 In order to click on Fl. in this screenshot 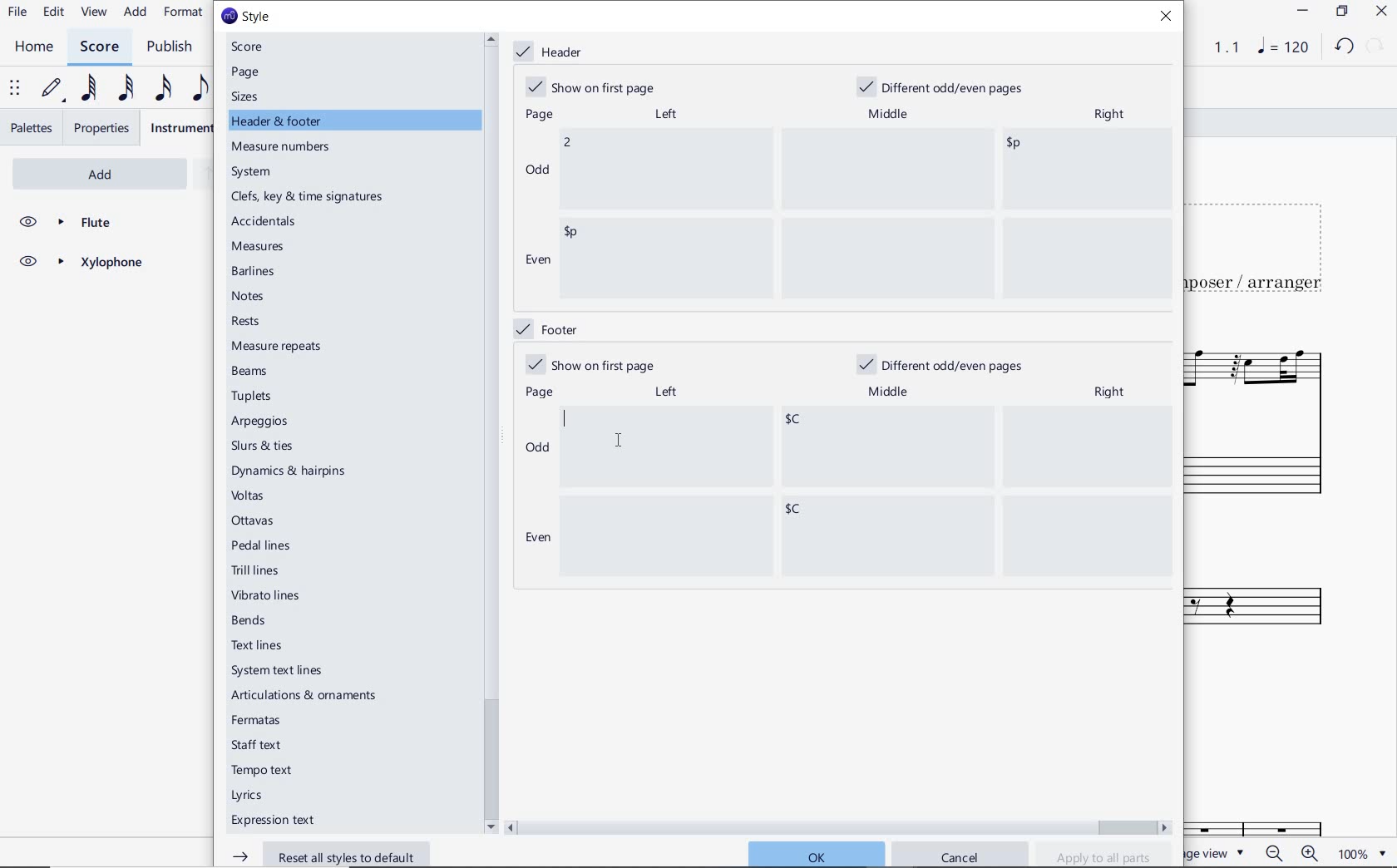, I will do `click(1281, 806)`.